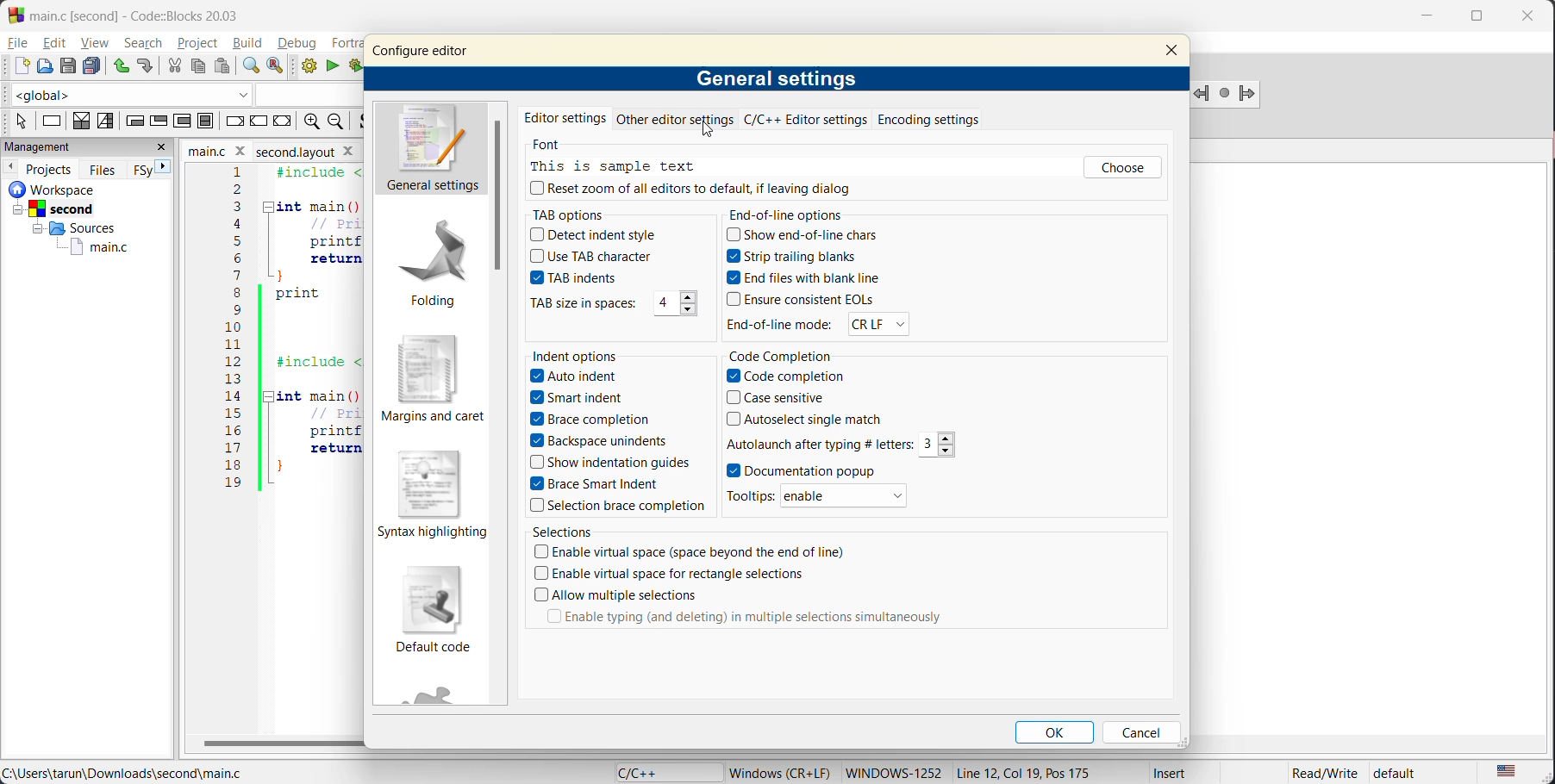  What do you see at coordinates (816, 211) in the screenshot?
I see `End-of-line options` at bounding box center [816, 211].